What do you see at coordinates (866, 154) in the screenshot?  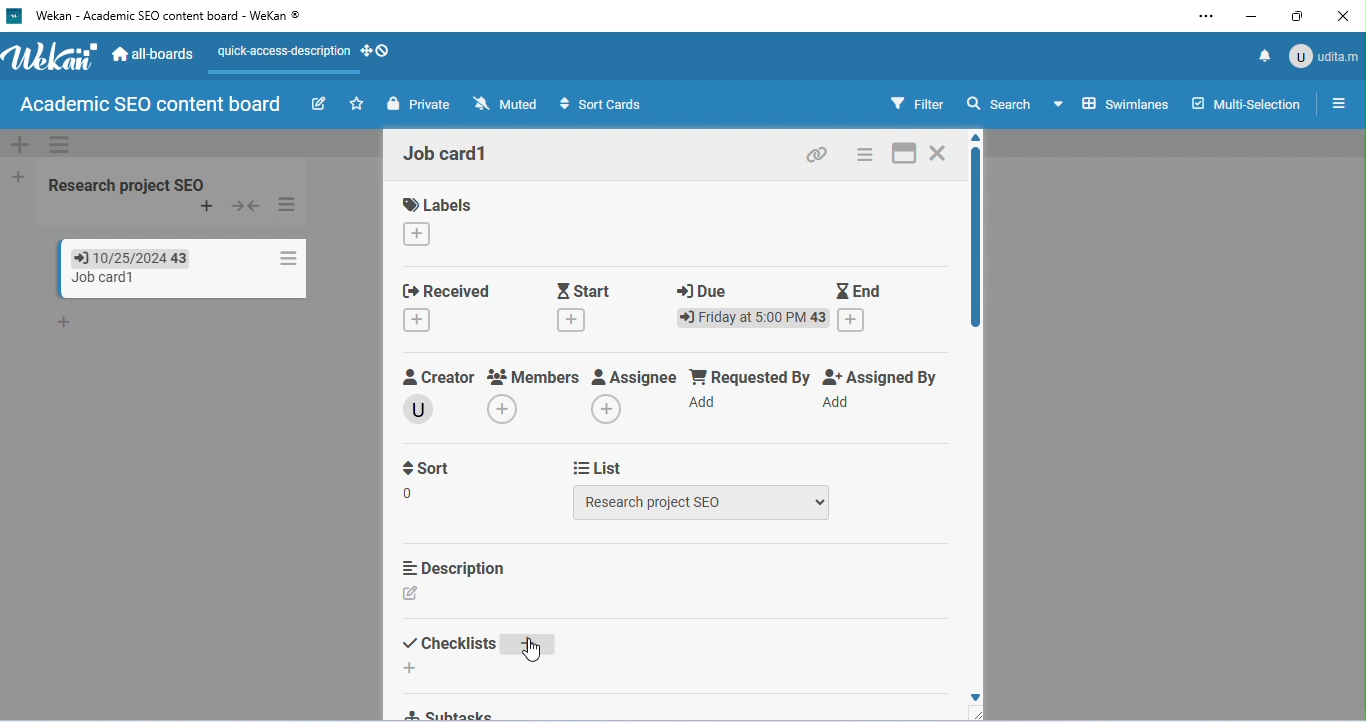 I see `card actions` at bounding box center [866, 154].